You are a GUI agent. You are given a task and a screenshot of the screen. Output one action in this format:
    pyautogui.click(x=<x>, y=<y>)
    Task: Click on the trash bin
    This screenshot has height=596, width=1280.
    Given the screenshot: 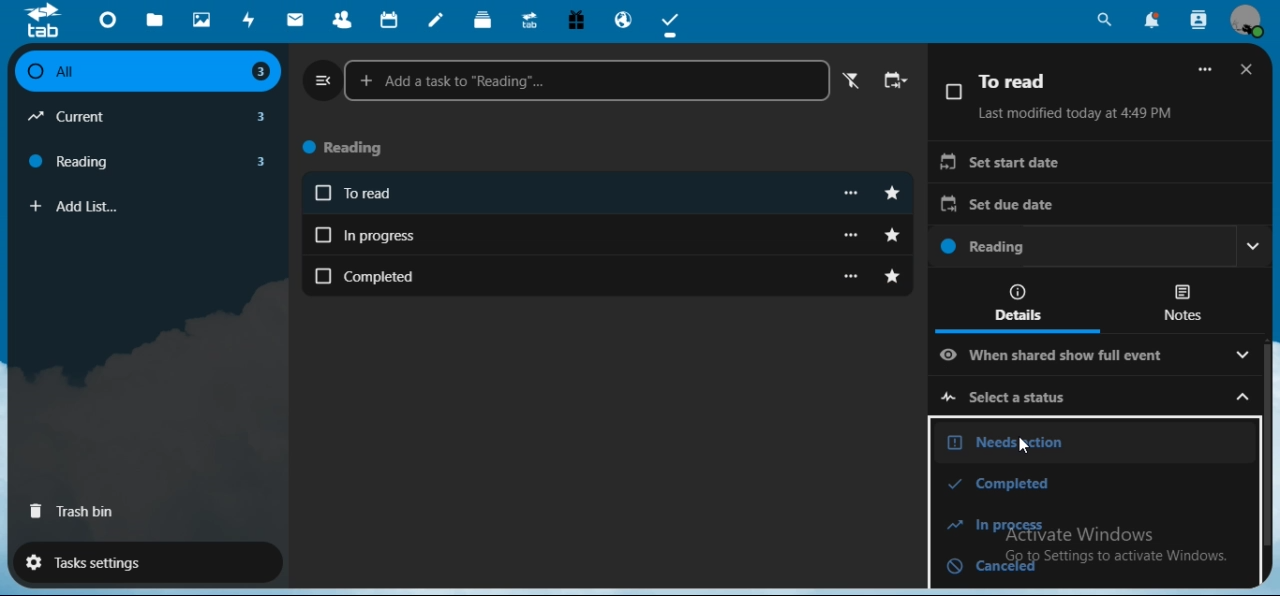 What is the action you would take?
    pyautogui.click(x=74, y=514)
    